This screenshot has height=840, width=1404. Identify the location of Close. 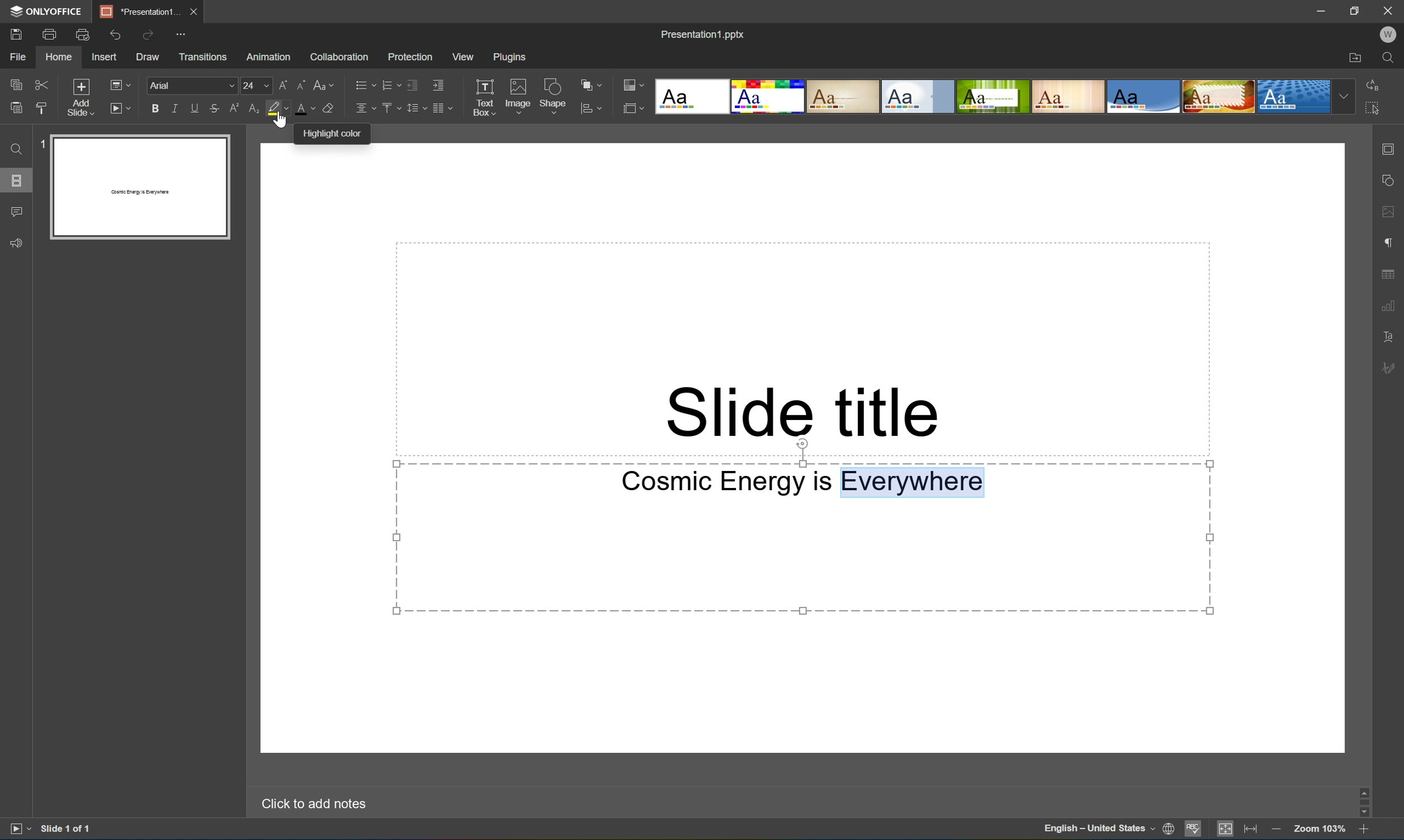
(1389, 11).